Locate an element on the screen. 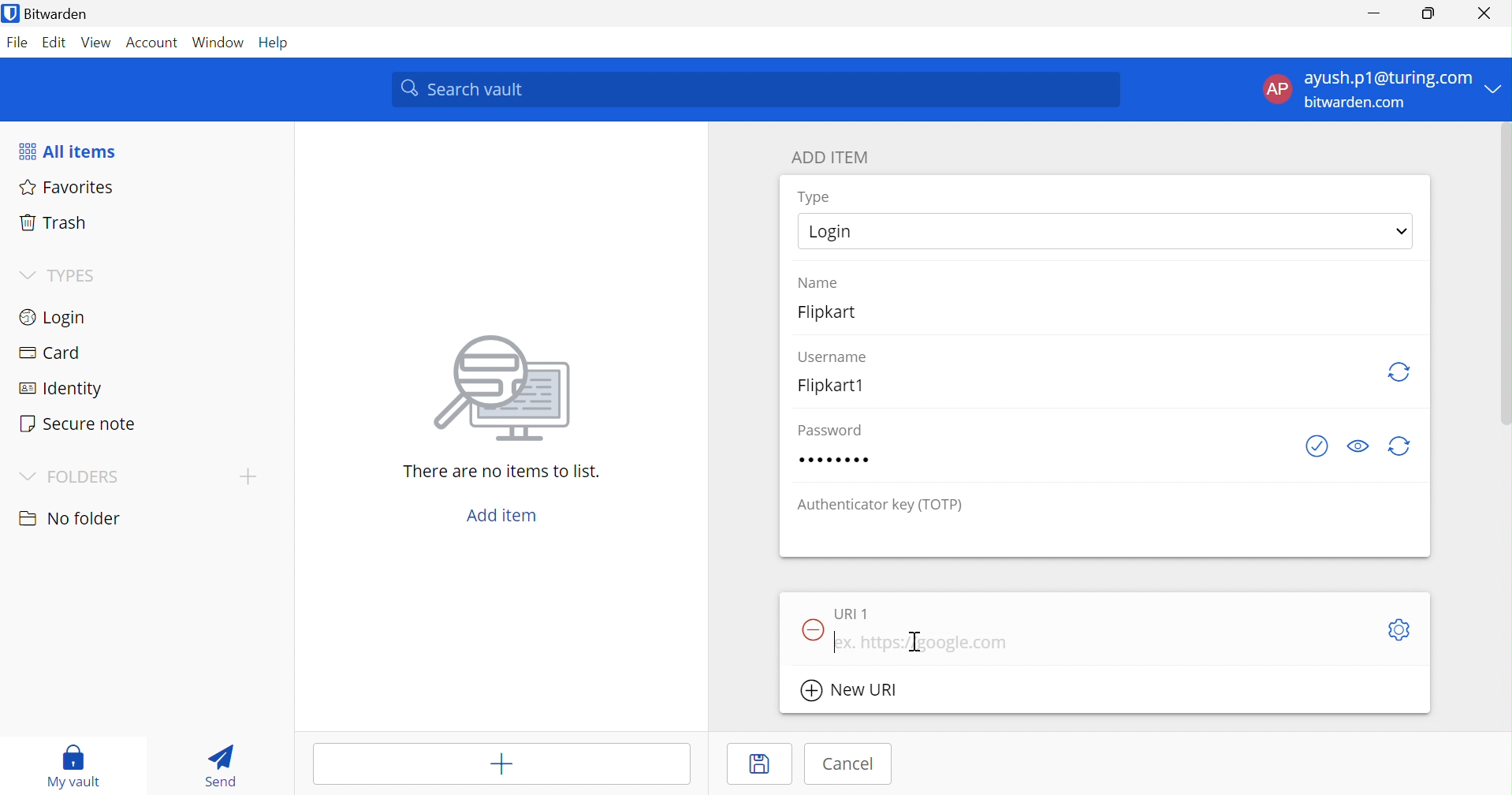 The height and width of the screenshot is (795, 1512). image is located at coordinates (509, 389).